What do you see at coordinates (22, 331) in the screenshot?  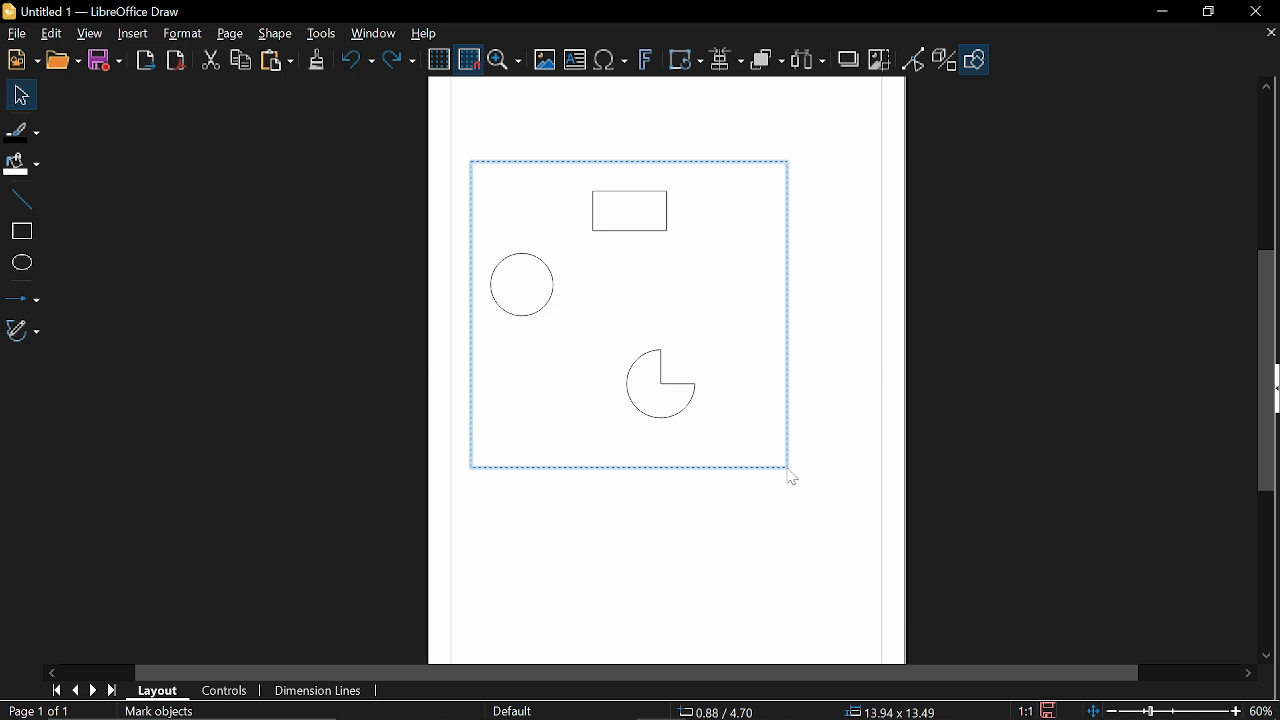 I see `Curves and polygons` at bounding box center [22, 331].